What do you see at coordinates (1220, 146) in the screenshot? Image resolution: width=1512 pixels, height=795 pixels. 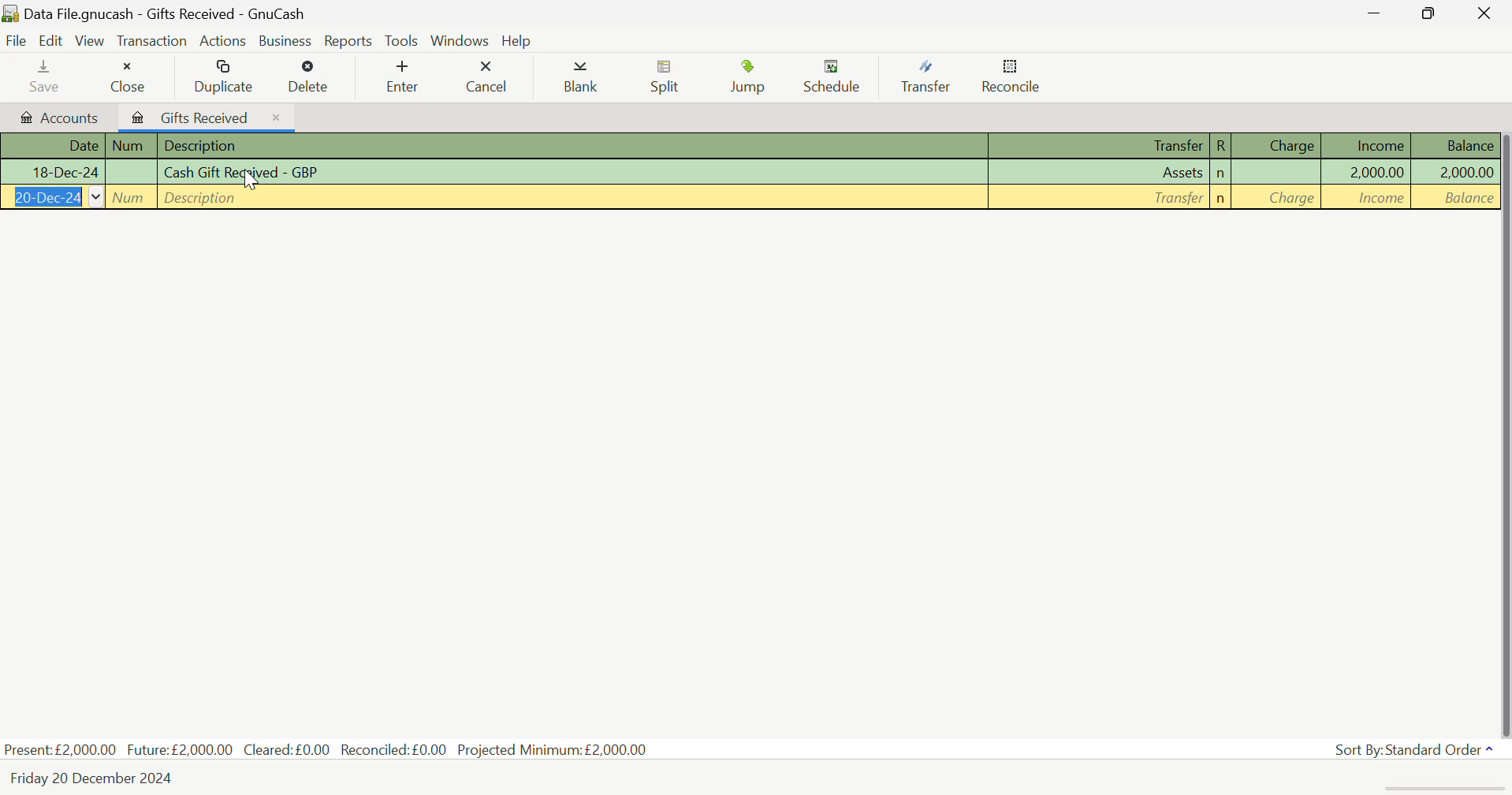 I see `R` at bounding box center [1220, 146].